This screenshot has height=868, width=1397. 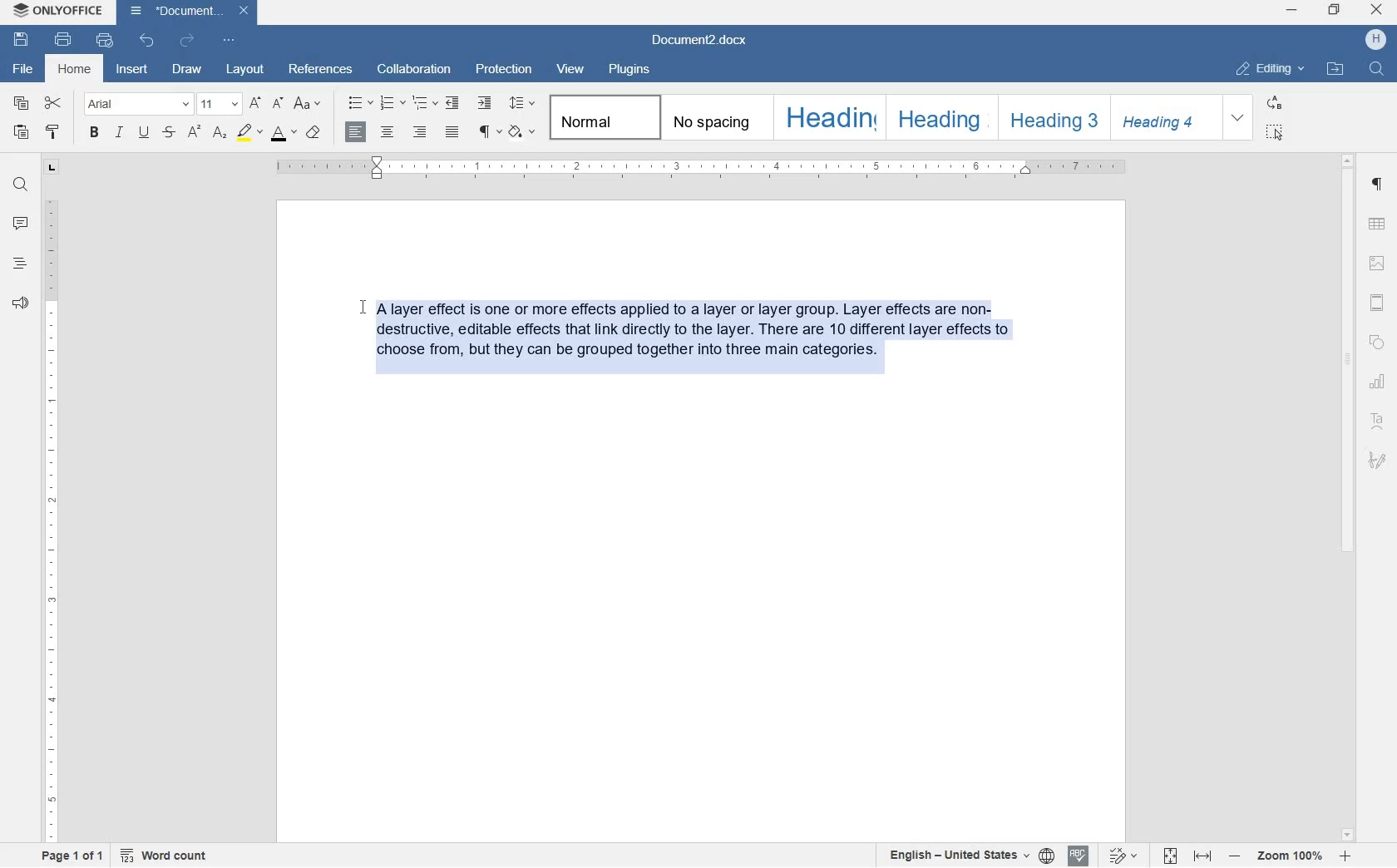 What do you see at coordinates (1276, 104) in the screenshot?
I see `replace` at bounding box center [1276, 104].